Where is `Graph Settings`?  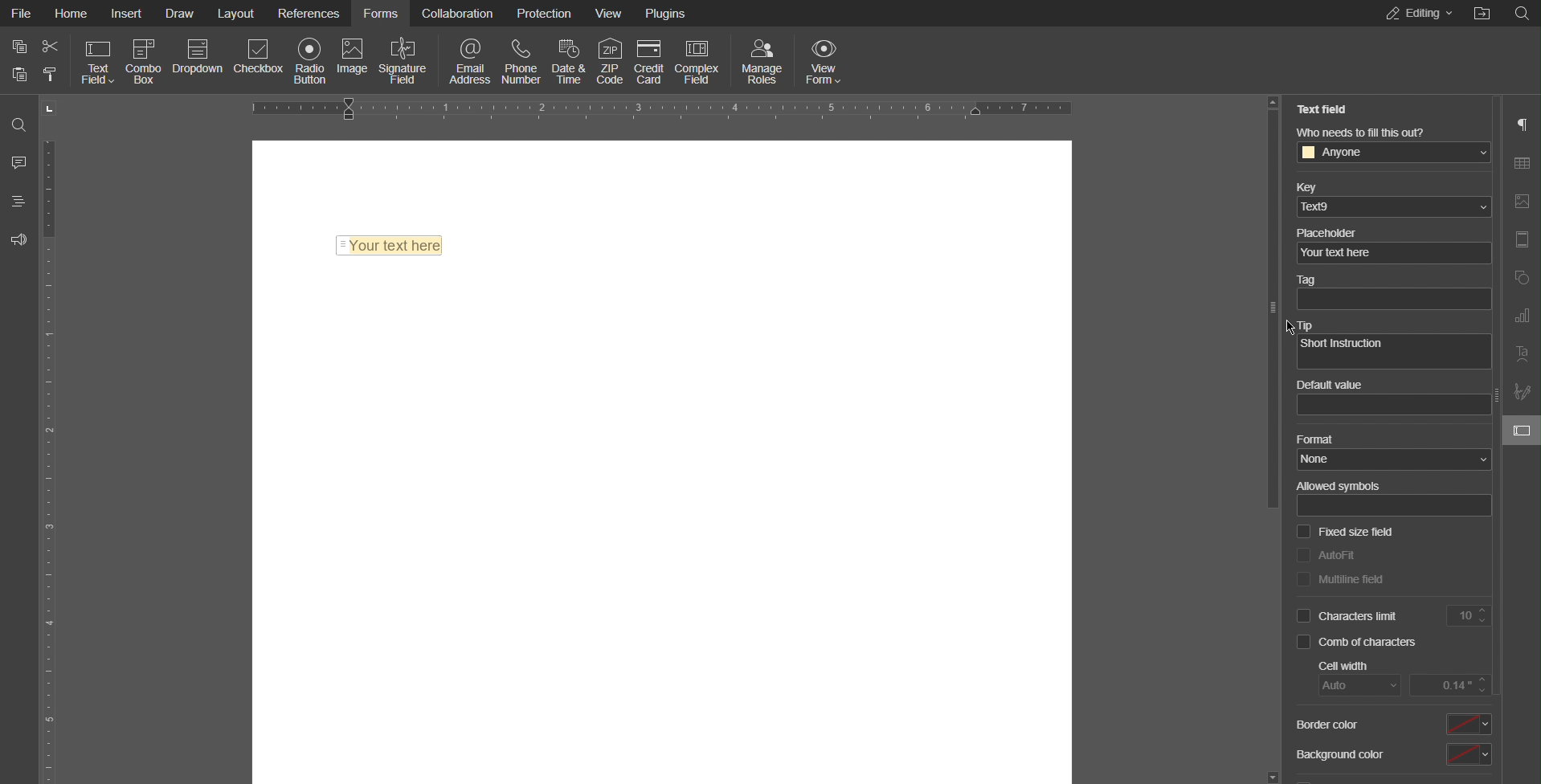 Graph Settings is located at coordinates (1520, 314).